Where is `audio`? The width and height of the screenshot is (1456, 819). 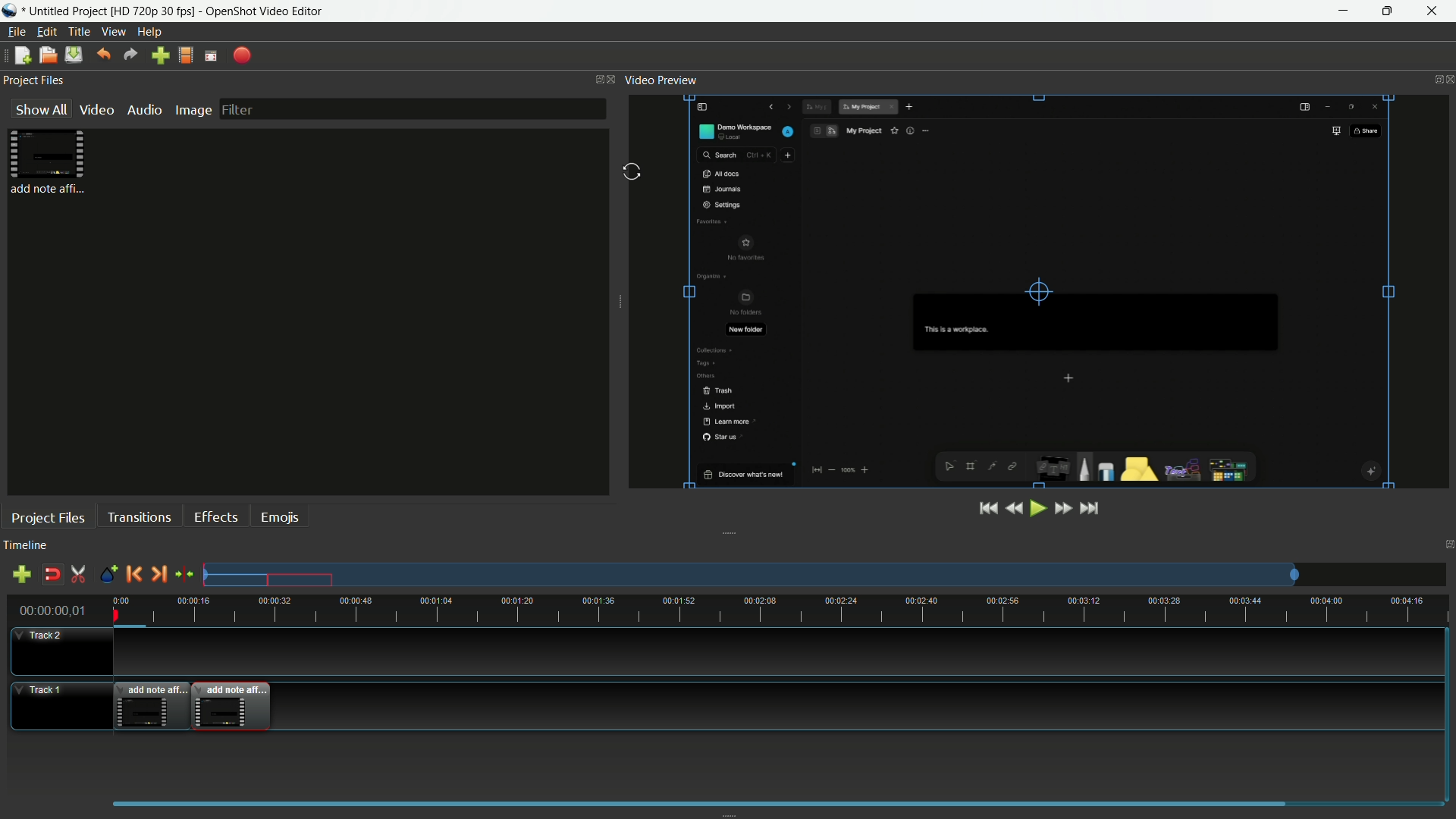 audio is located at coordinates (143, 110).